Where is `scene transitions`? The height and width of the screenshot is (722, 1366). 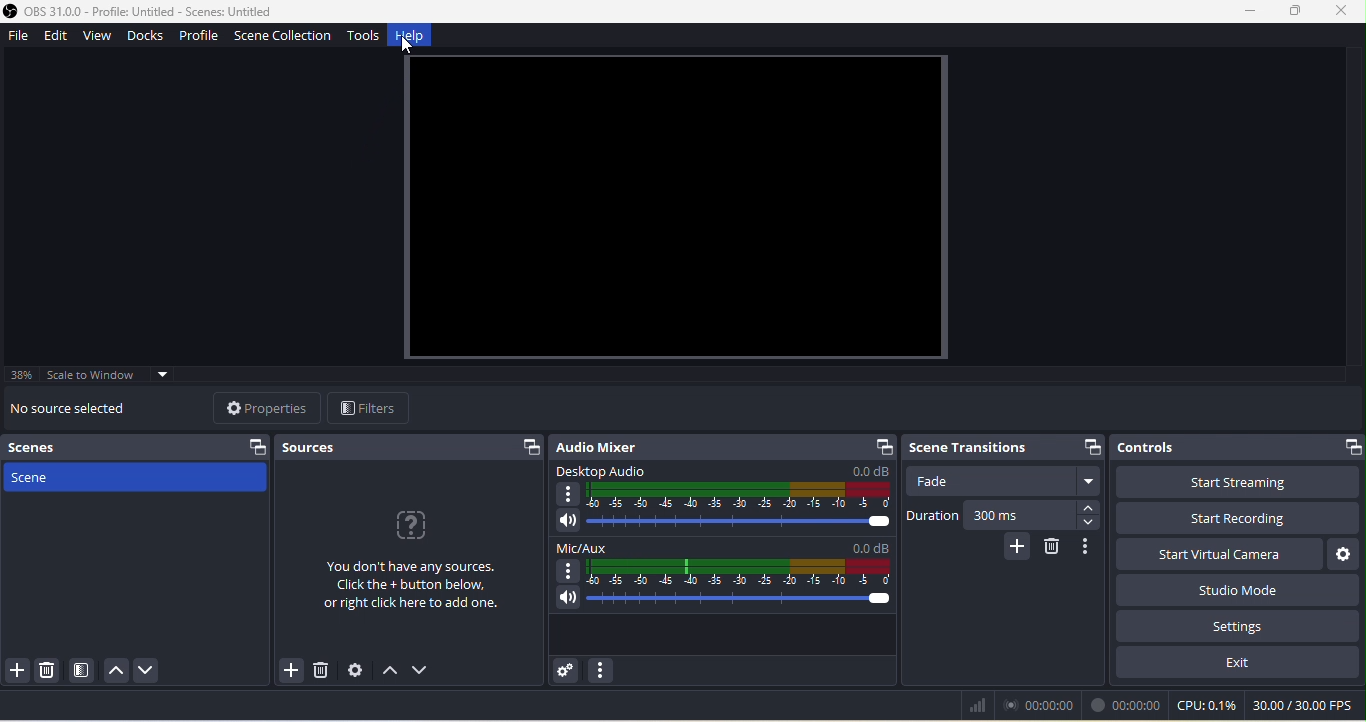
scene transitions is located at coordinates (1001, 448).